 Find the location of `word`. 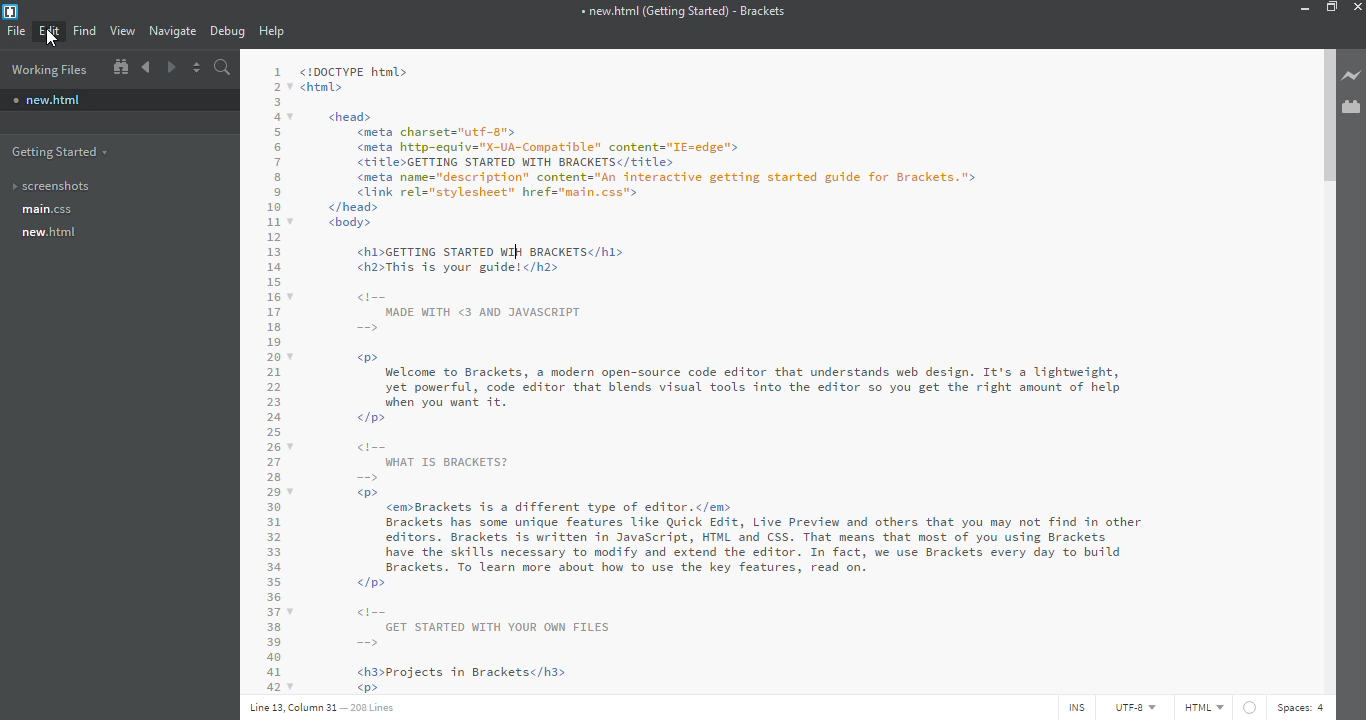

word is located at coordinates (512, 252).